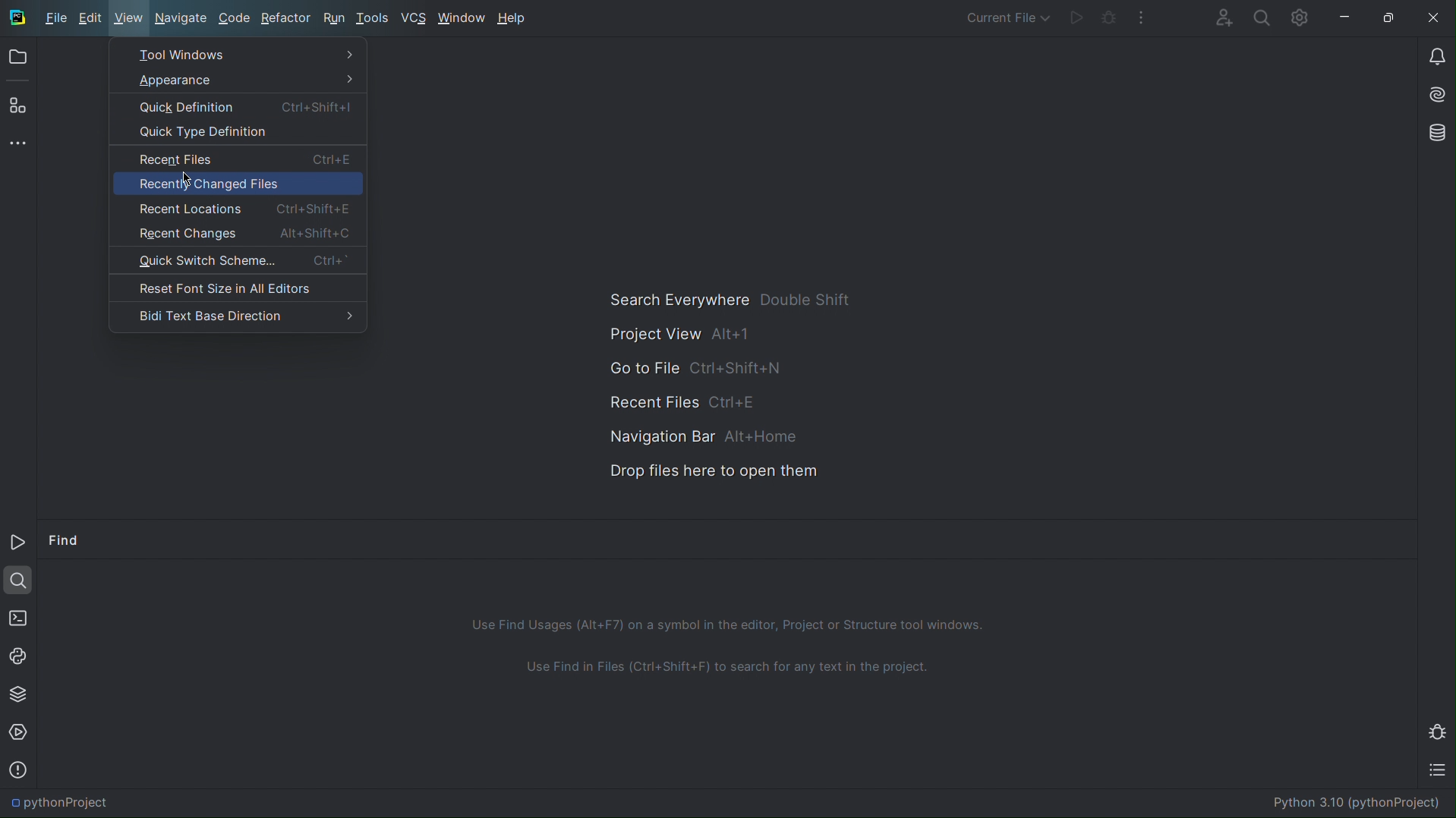 This screenshot has width=1456, height=818. I want to click on Tools, so click(375, 19).